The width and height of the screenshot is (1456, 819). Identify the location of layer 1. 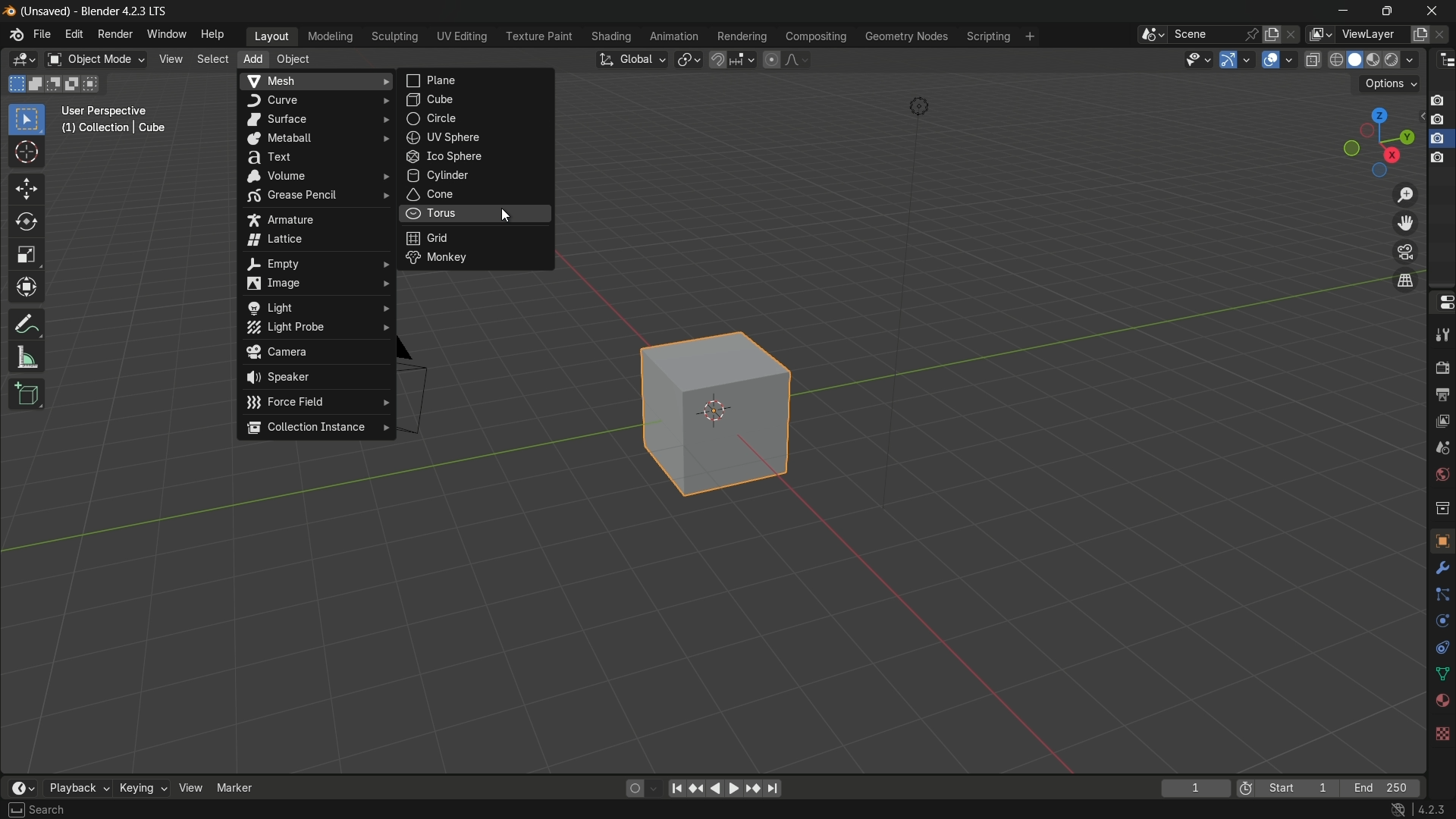
(1437, 101).